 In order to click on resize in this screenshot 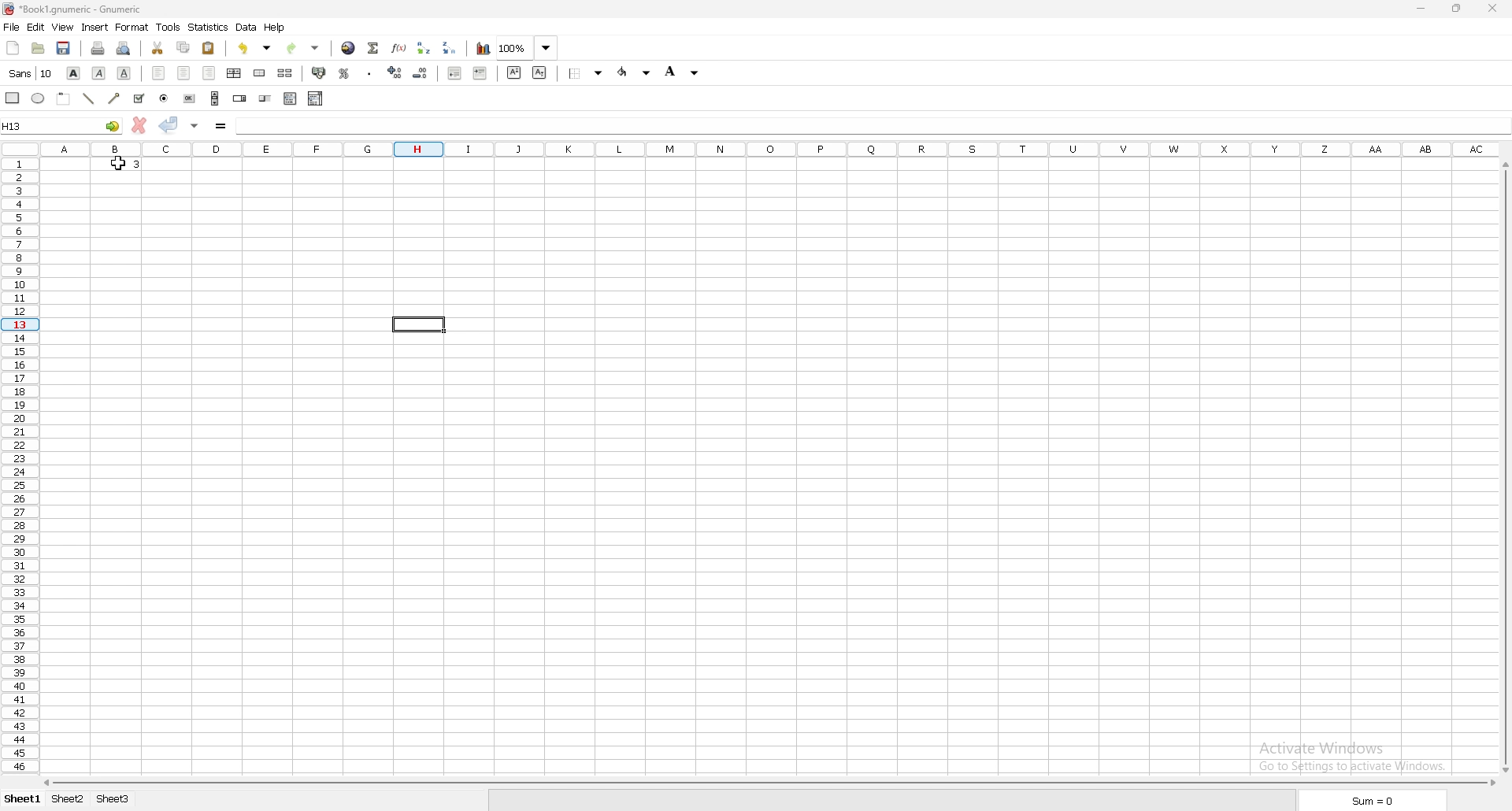, I will do `click(1458, 8)`.